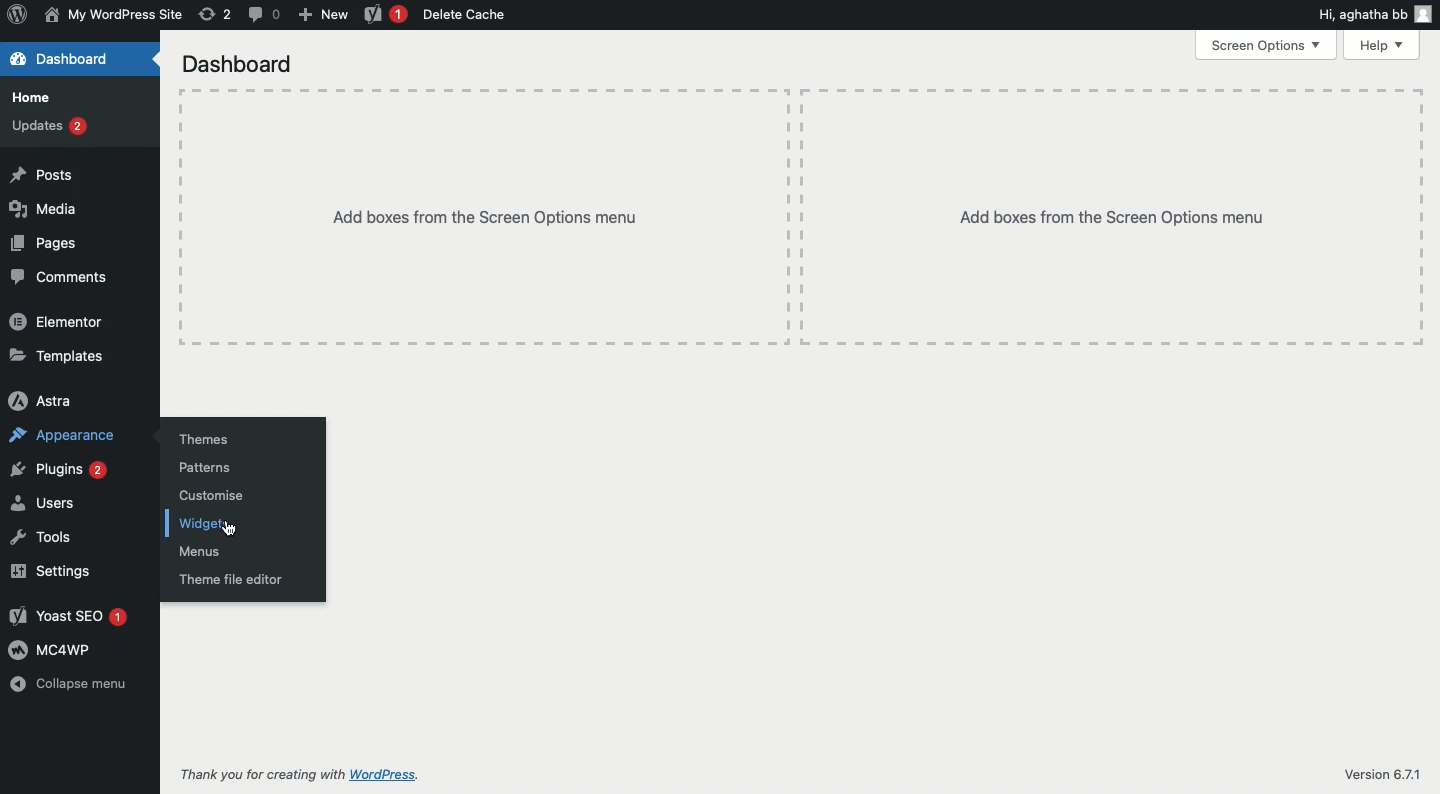 The width and height of the screenshot is (1440, 794). I want to click on Customize, so click(215, 497).